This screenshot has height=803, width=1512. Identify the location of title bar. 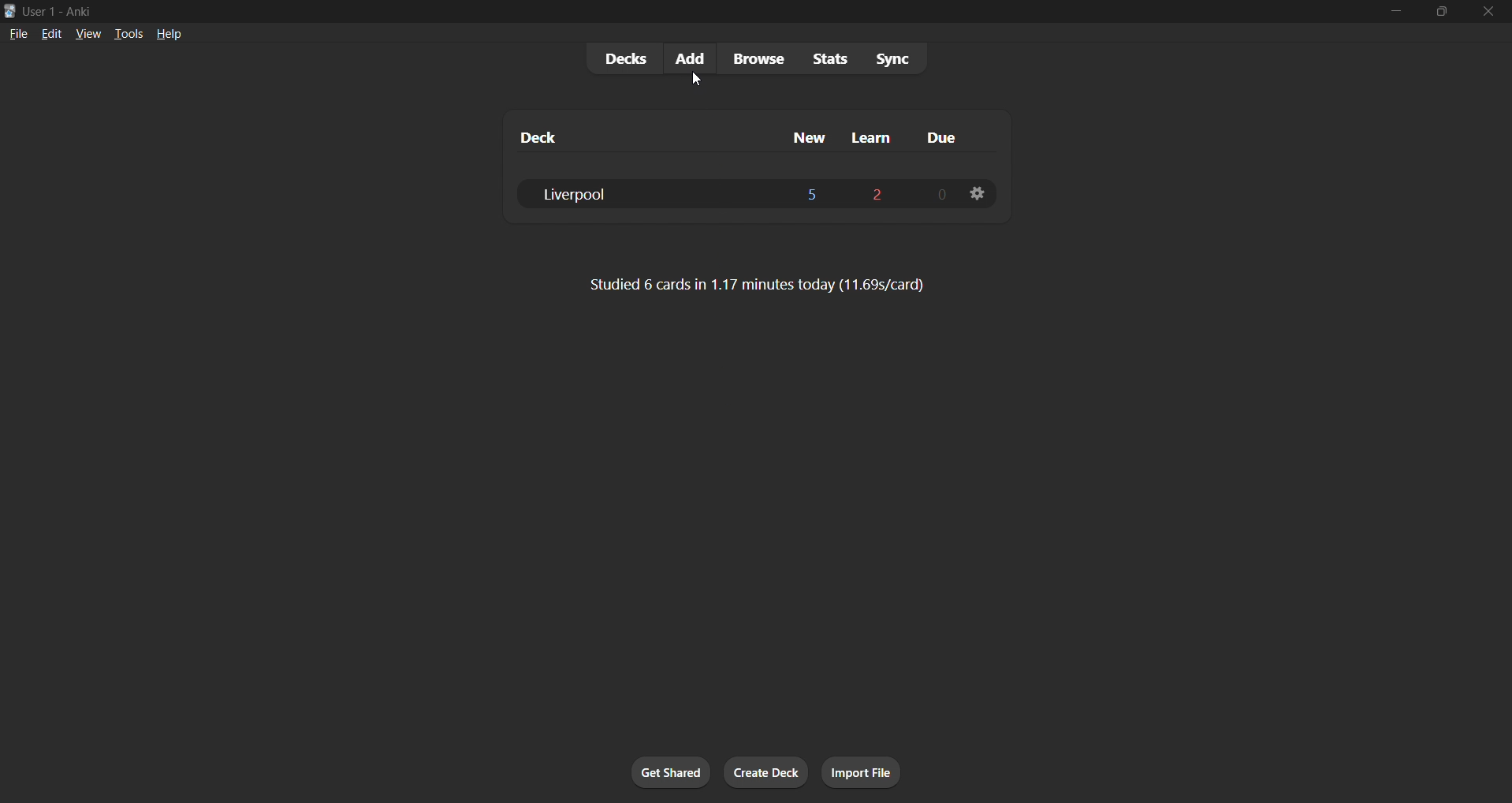
(635, 12).